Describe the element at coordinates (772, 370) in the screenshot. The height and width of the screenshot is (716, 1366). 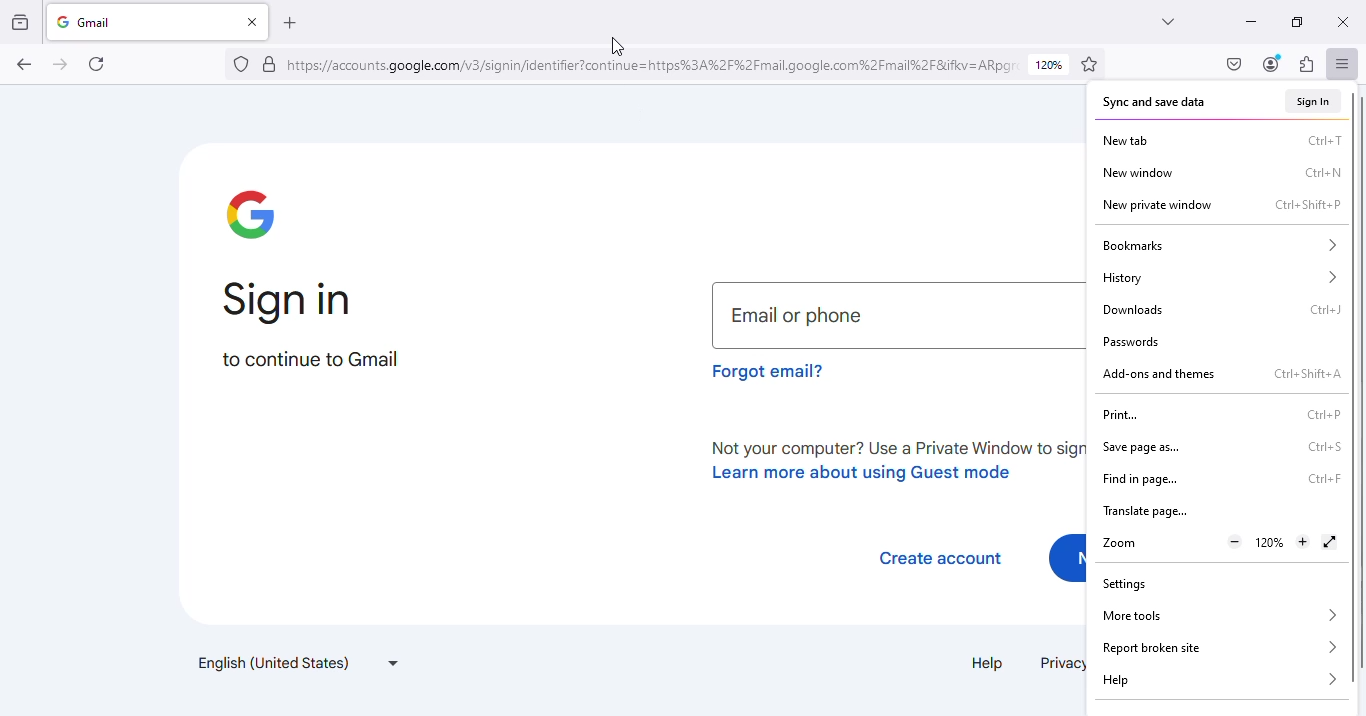
I see `forgot email?` at that location.